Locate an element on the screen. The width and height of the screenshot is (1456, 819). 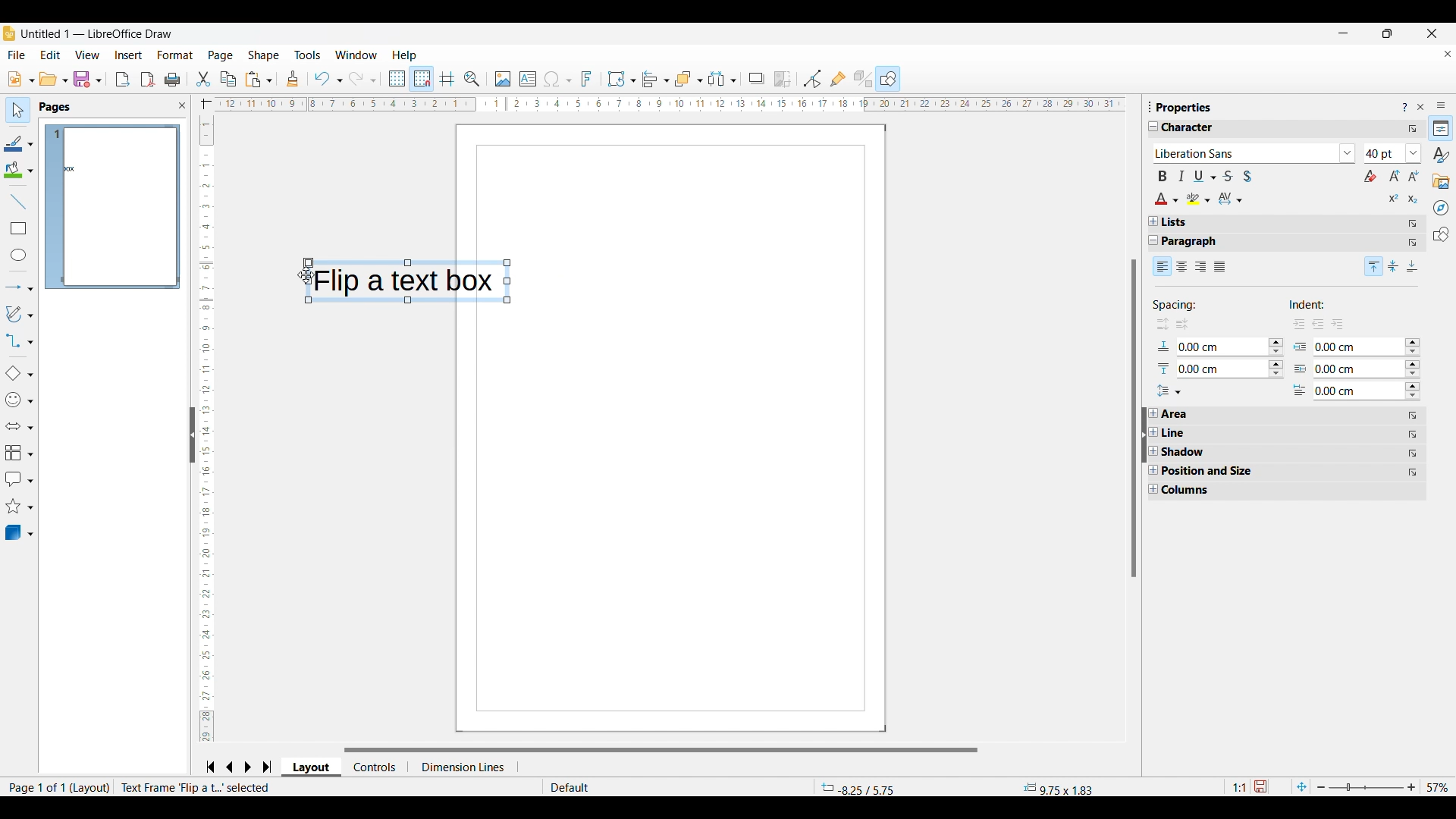
Underline options is located at coordinates (1205, 176).